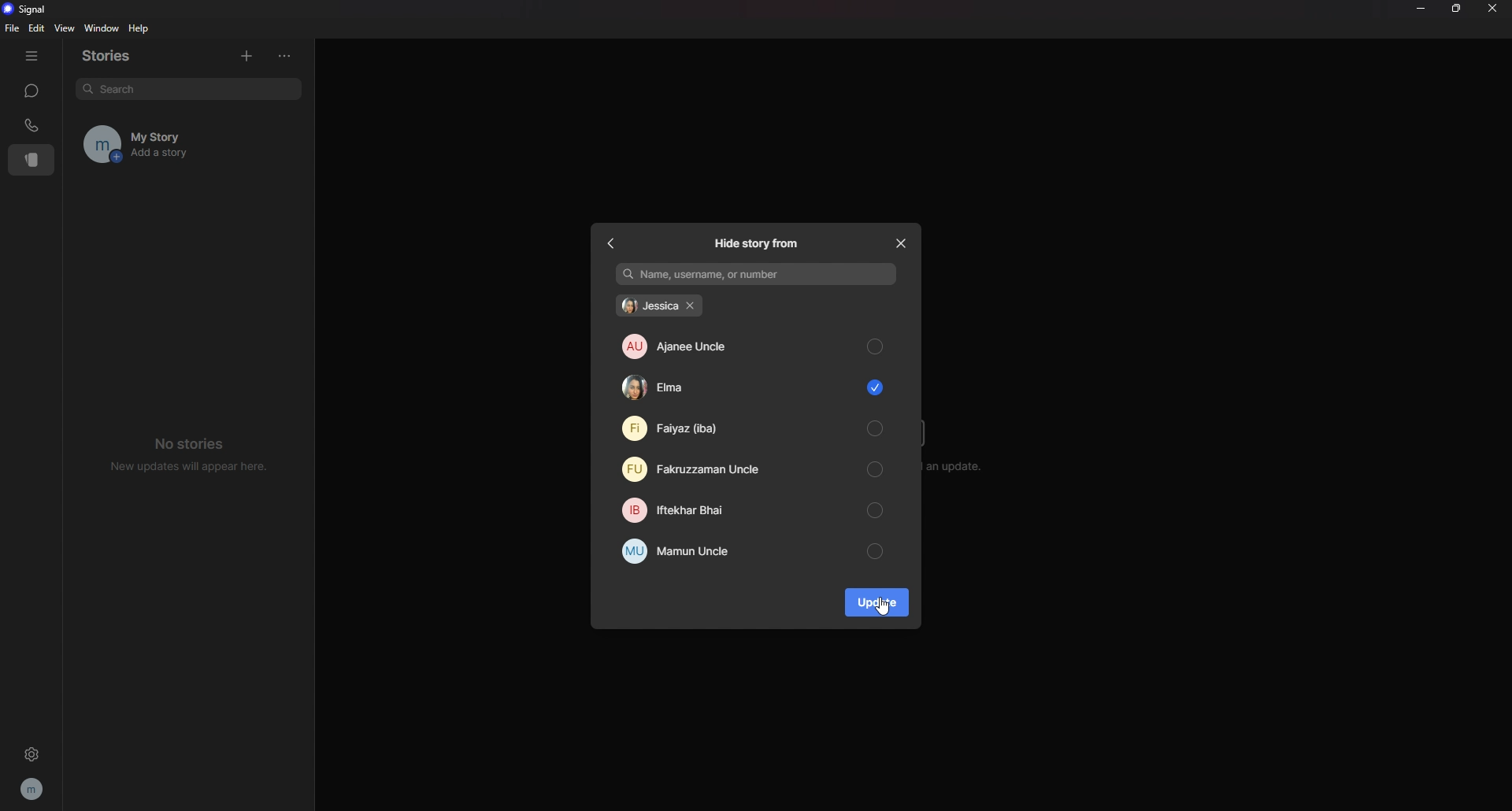 The height and width of the screenshot is (811, 1512). What do you see at coordinates (648, 306) in the screenshot?
I see `jessica` at bounding box center [648, 306].